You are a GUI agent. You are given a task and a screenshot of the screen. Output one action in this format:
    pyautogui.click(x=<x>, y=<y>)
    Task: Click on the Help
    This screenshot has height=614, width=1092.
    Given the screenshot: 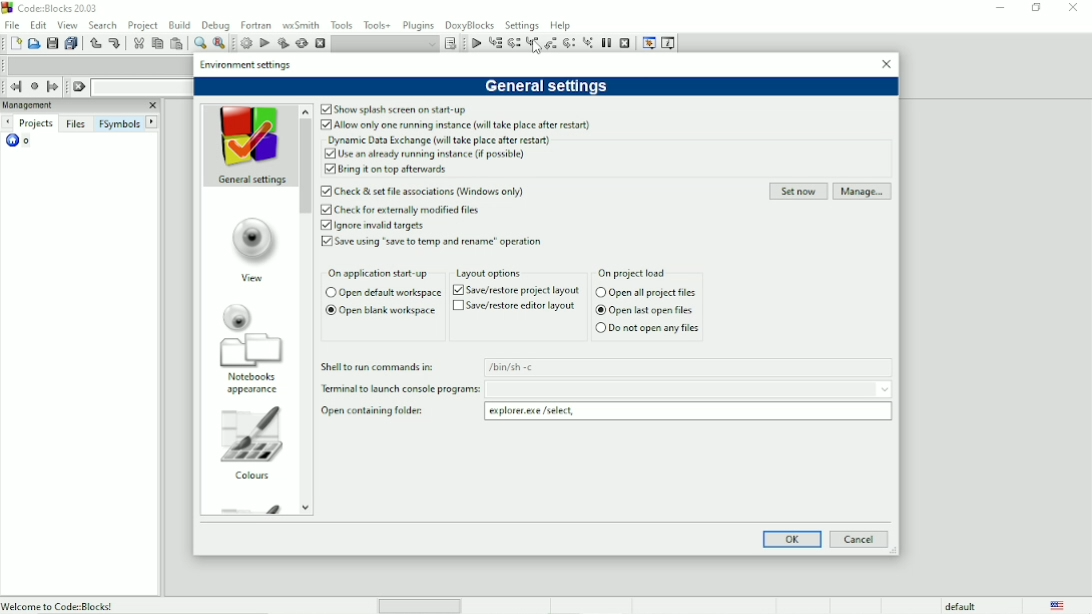 What is the action you would take?
    pyautogui.click(x=560, y=25)
    